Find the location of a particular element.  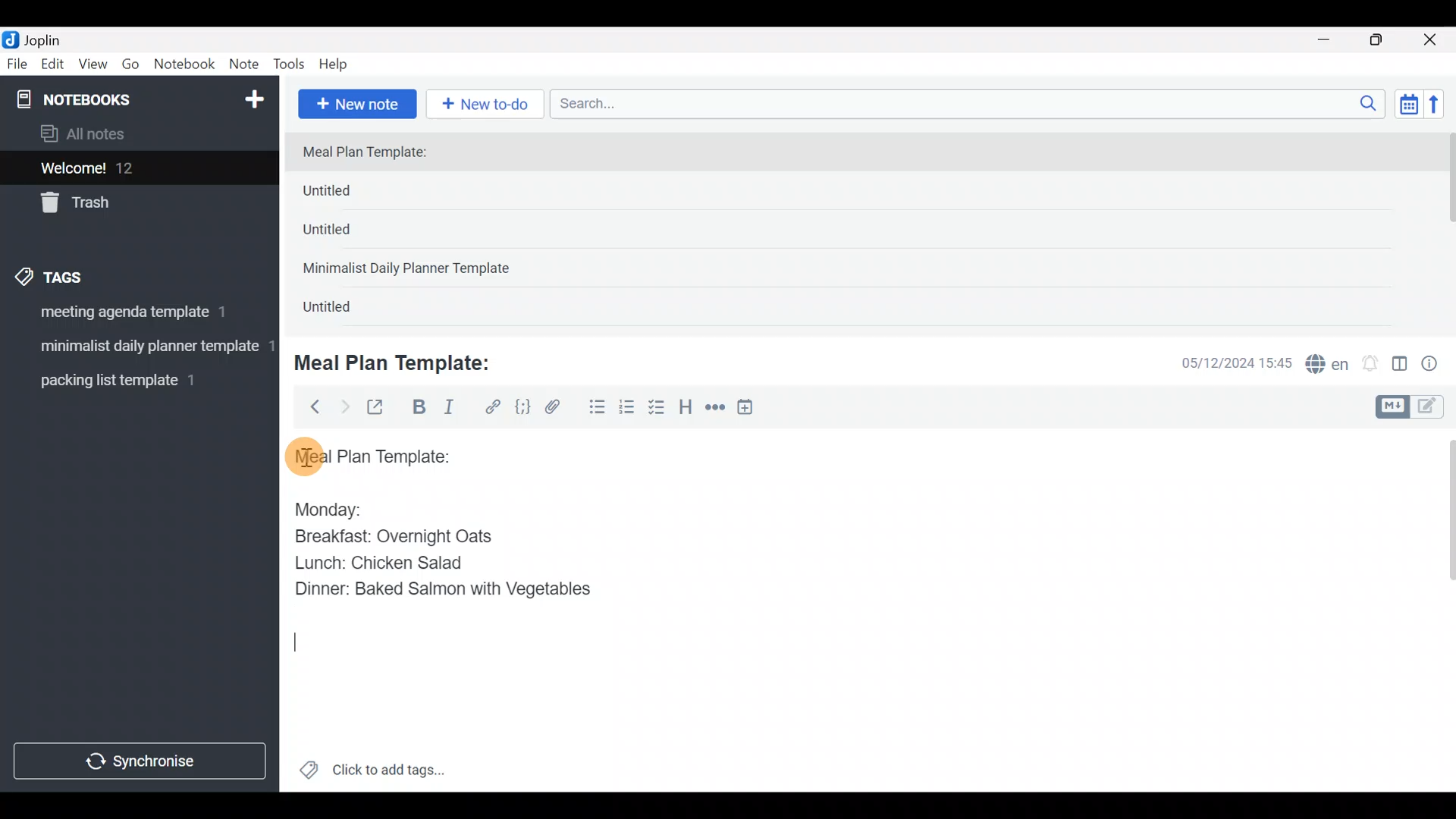

Toggle external editing is located at coordinates (381, 408).